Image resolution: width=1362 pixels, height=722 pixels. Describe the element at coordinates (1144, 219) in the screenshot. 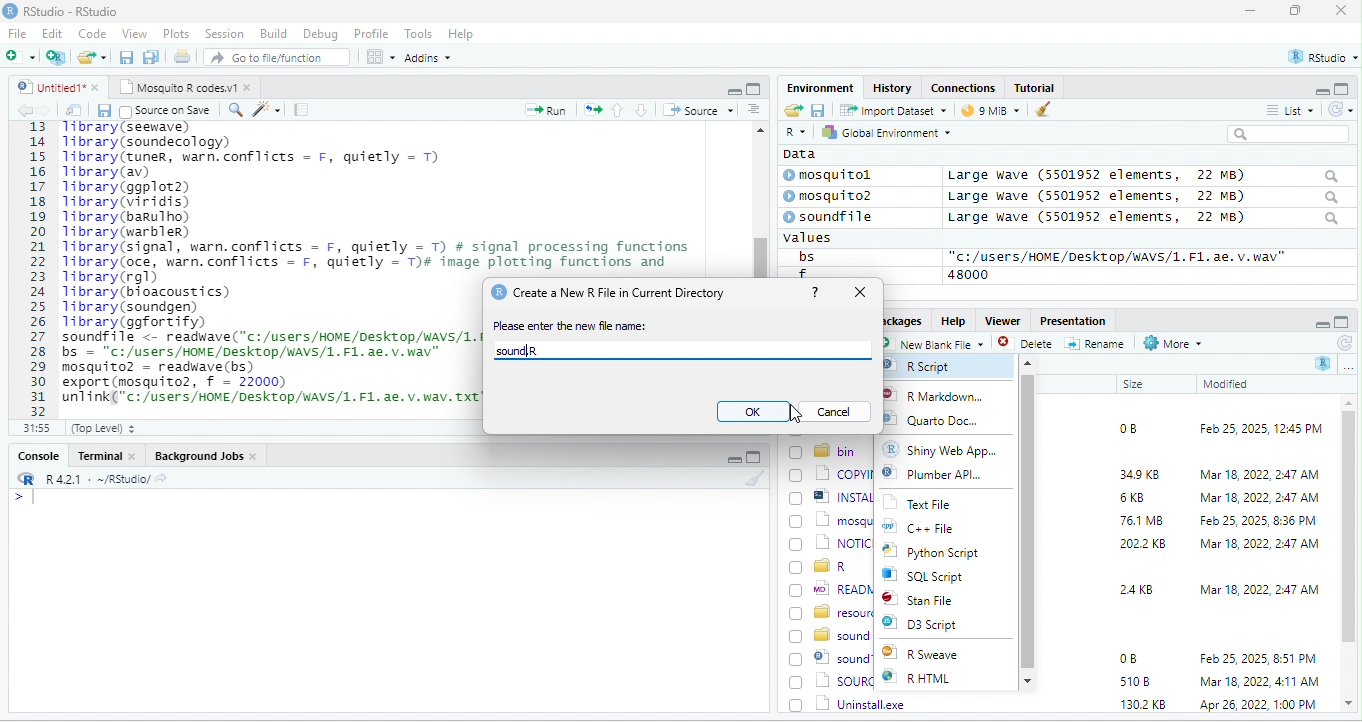

I see `Large wave (5501952 elements, 22 MB)` at that location.